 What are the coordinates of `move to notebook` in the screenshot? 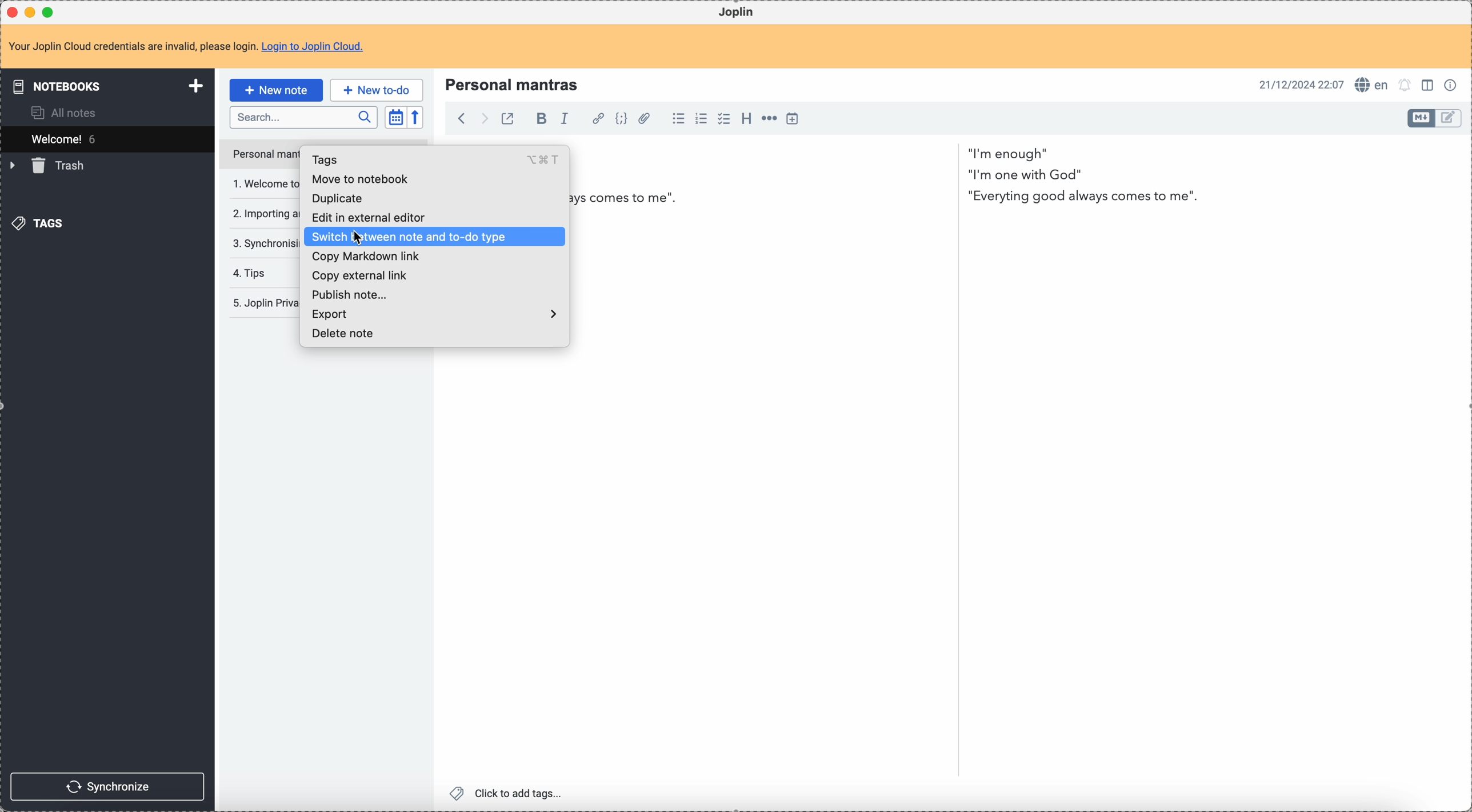 It's located at (360, 182).